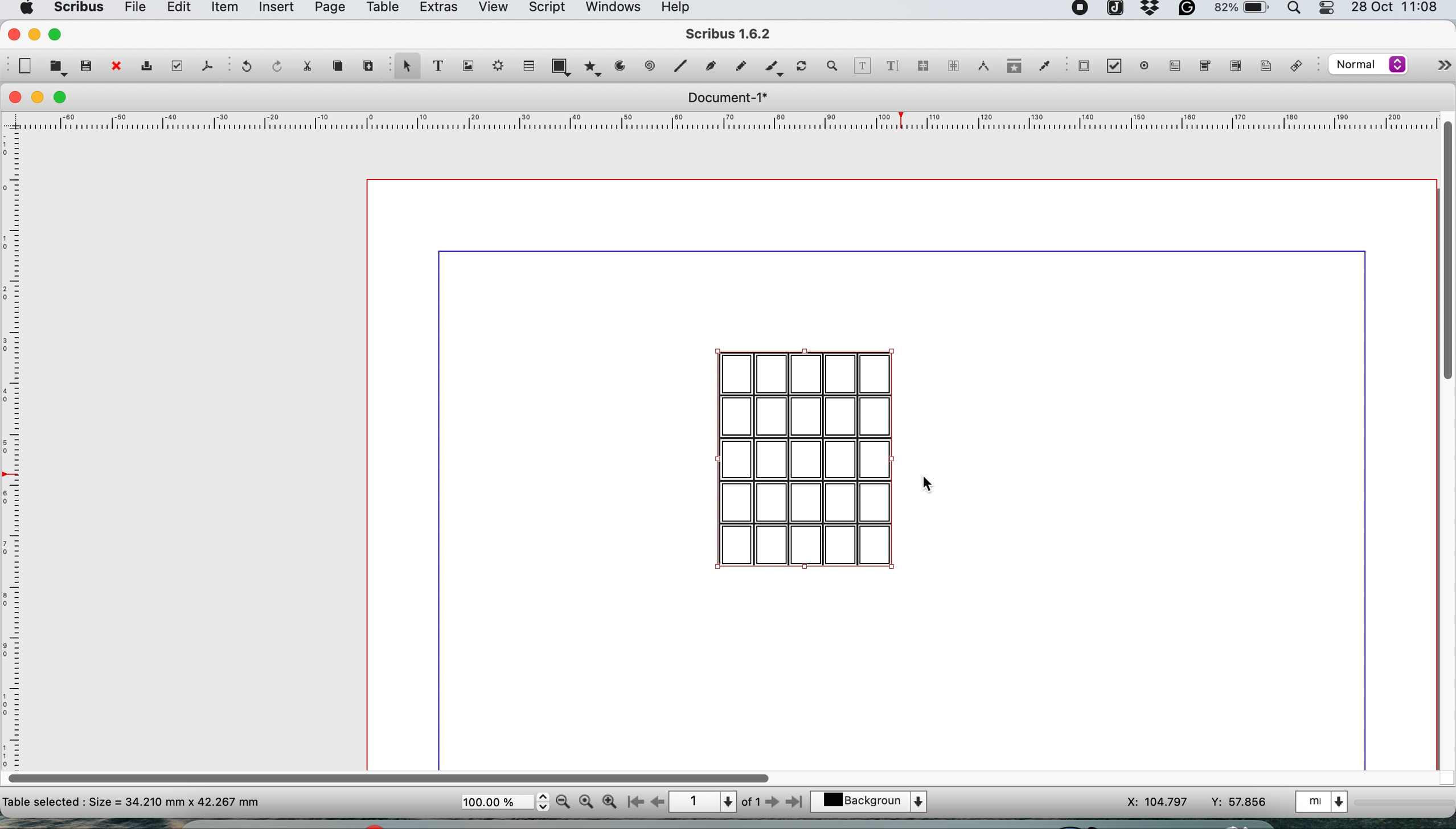 The height and width of the screenshot is (829, 1456). Describe the element at coordinates (1297, 11) in the screenshot. I see `spotlight search` at that location.